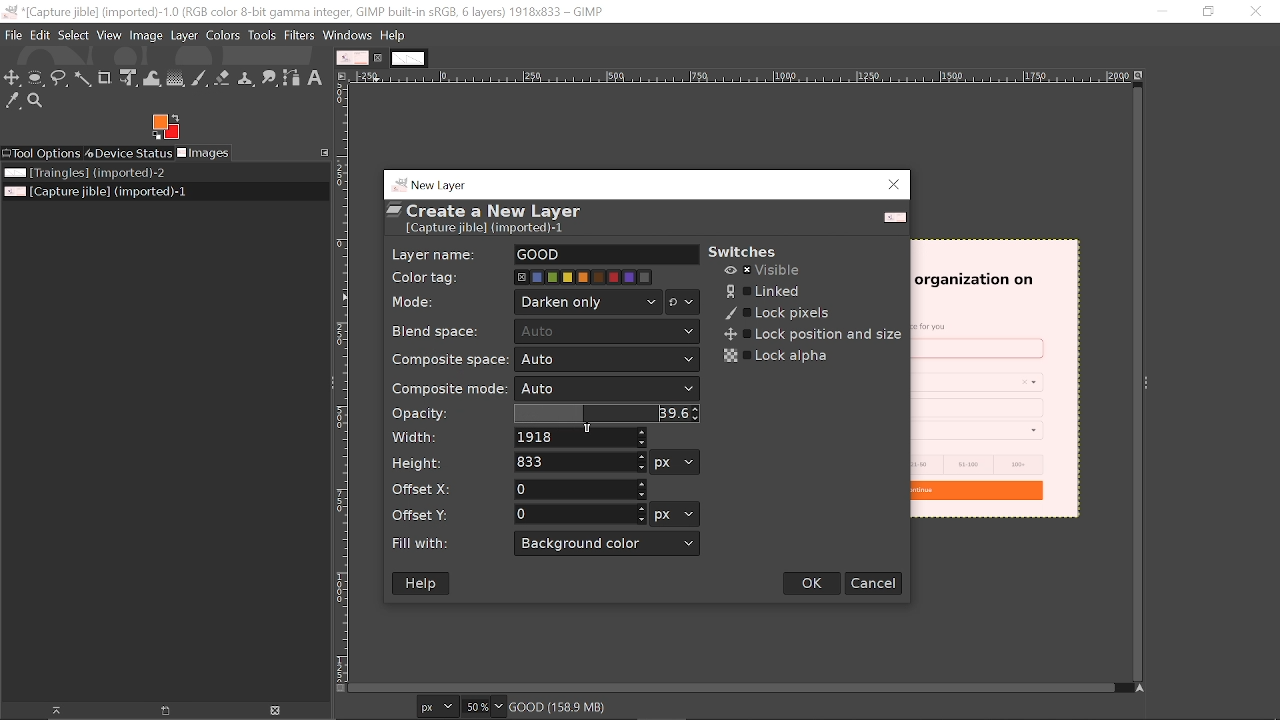  What do you see at coordinates (423, 584) in the screenshot?
I see `Help` at bounding box center [423, 584].